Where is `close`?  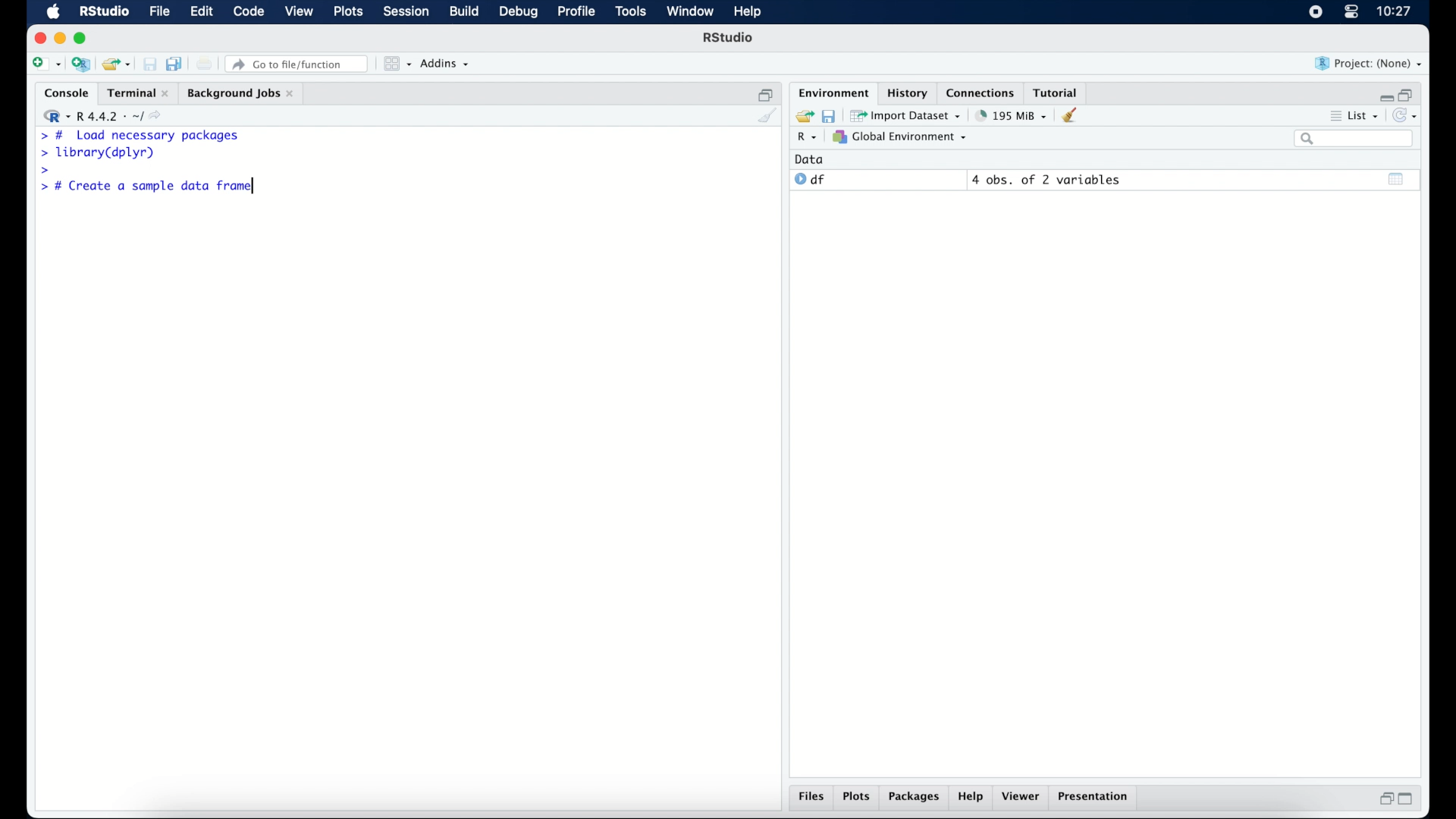
close is located at coordinates (40, 38).